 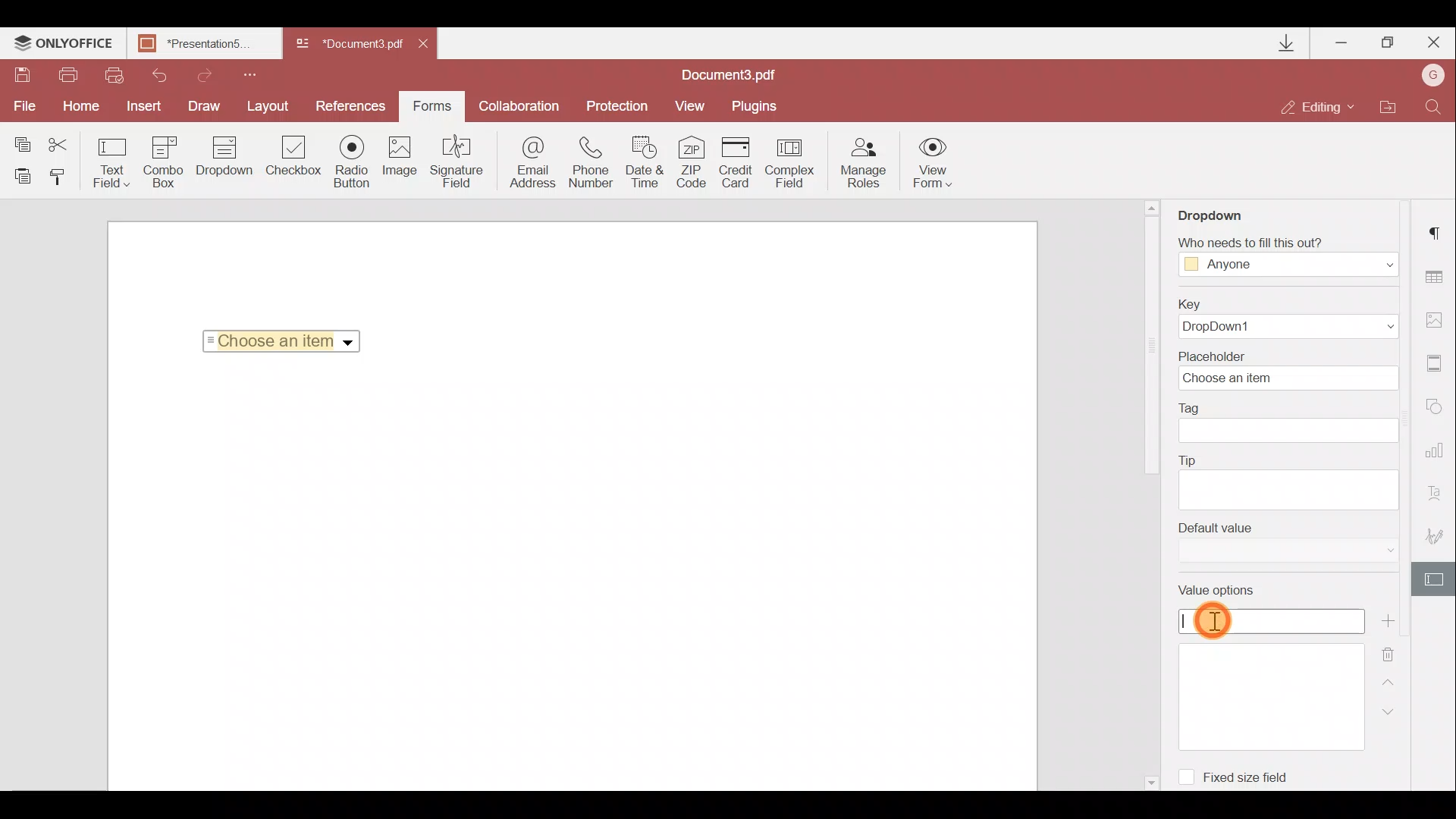 What do you see at coordinates (224, 158) in the screenshot?
I see `Drop down` at bounding box center [224, 158].